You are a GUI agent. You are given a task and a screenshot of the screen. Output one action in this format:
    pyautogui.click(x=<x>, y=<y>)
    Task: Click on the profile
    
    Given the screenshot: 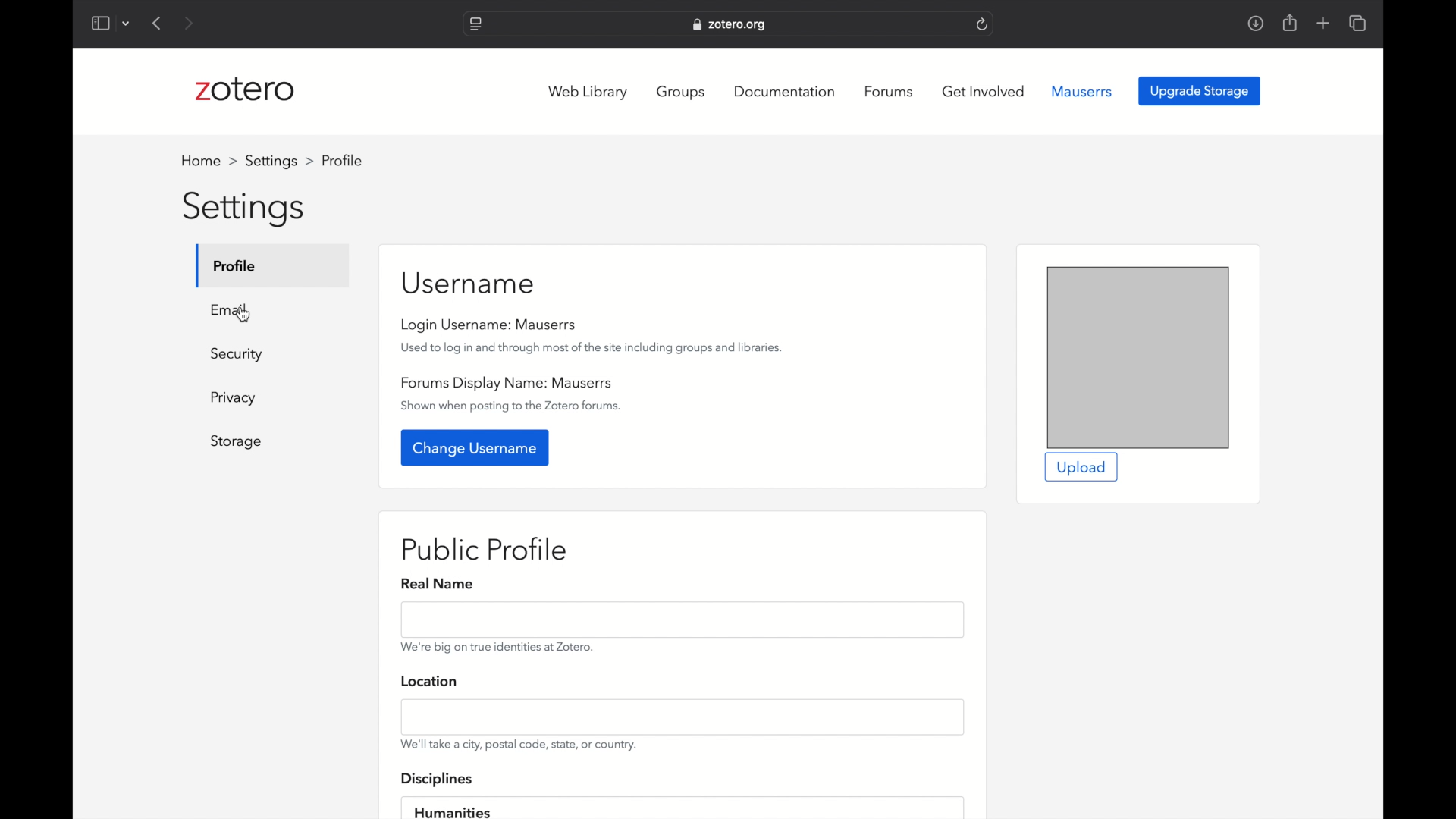 What is the action you would take?
    pyautogui.click(x=235, y=266)
    